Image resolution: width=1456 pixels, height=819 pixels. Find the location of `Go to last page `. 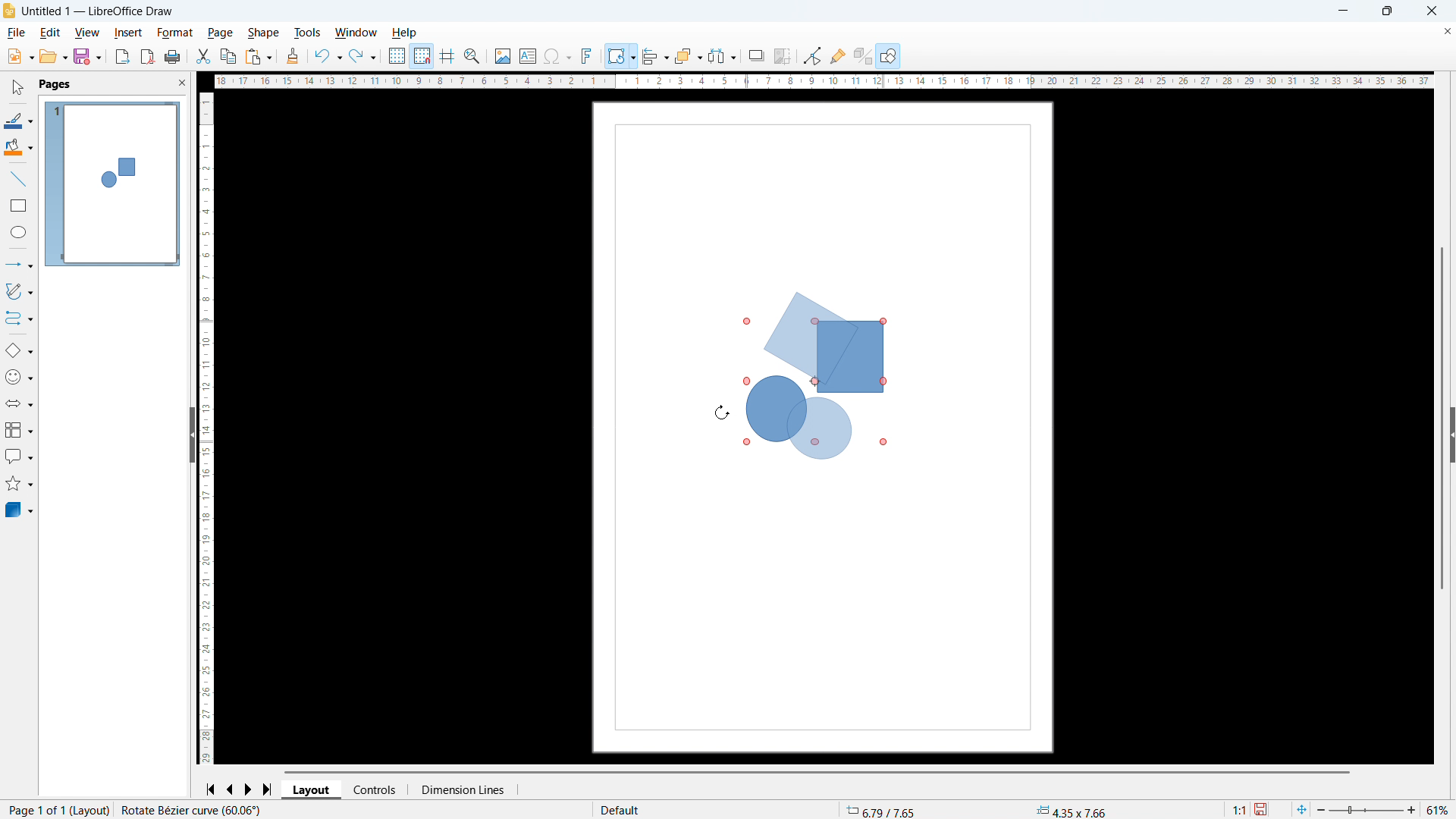

Go to last page  is located at coordinates (268, 789).